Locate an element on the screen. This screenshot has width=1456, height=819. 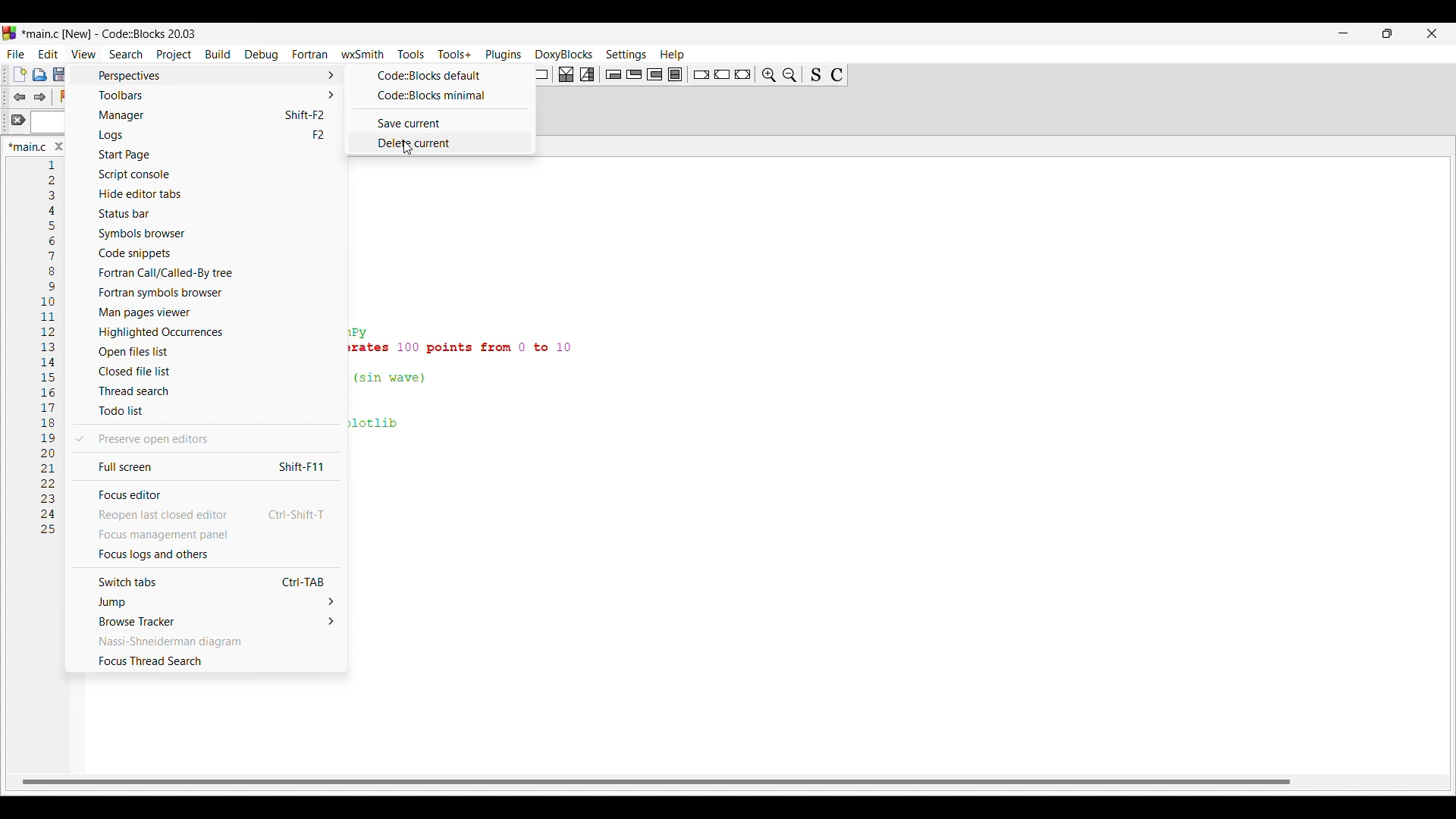
Toggle comments is located at coordinates (837, 75).